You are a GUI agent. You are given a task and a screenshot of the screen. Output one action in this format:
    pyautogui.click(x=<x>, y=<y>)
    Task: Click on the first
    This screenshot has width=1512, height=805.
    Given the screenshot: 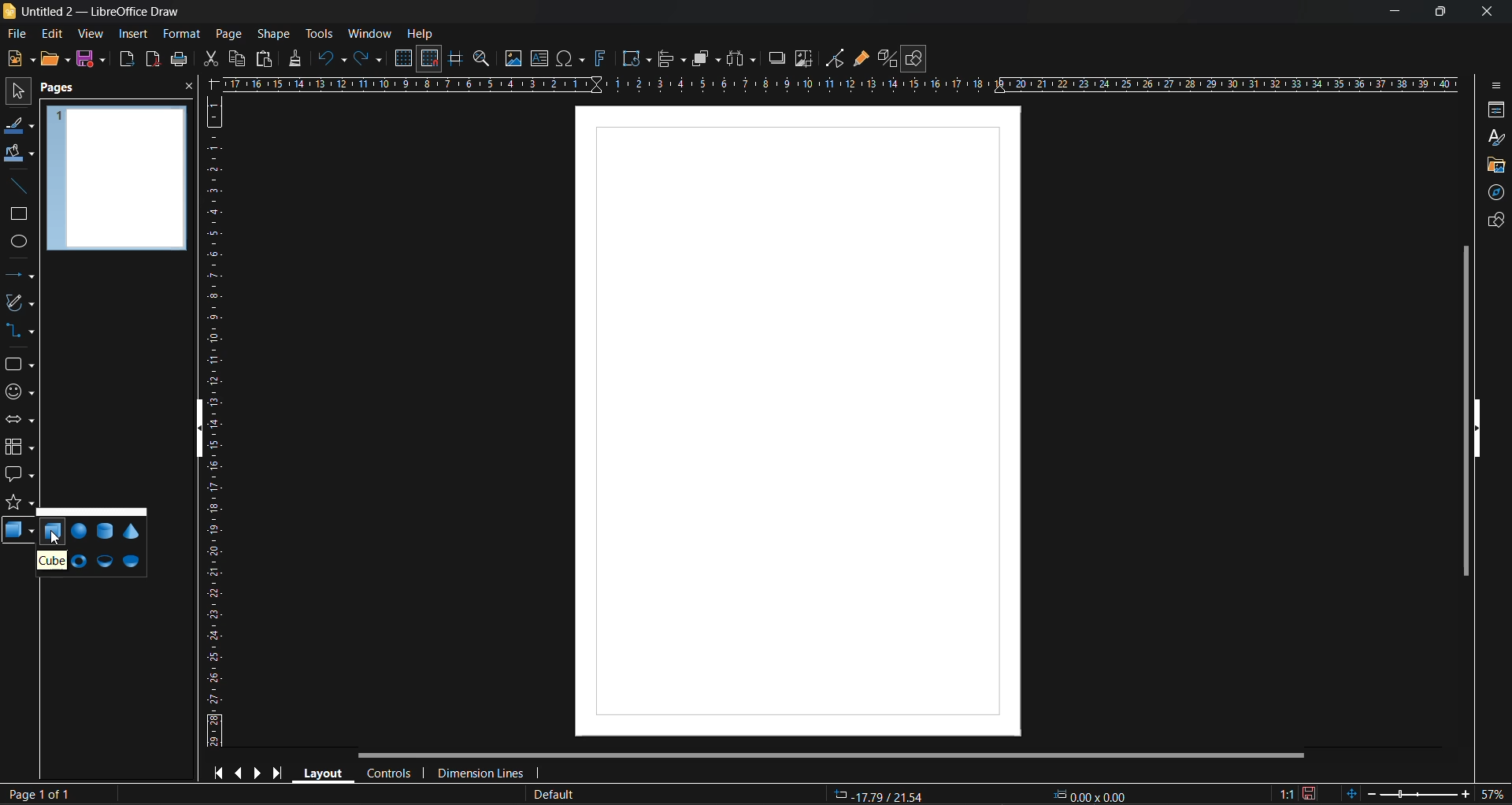 What is the action you would take?
    pyautogui.click(x=222, y=773)
    